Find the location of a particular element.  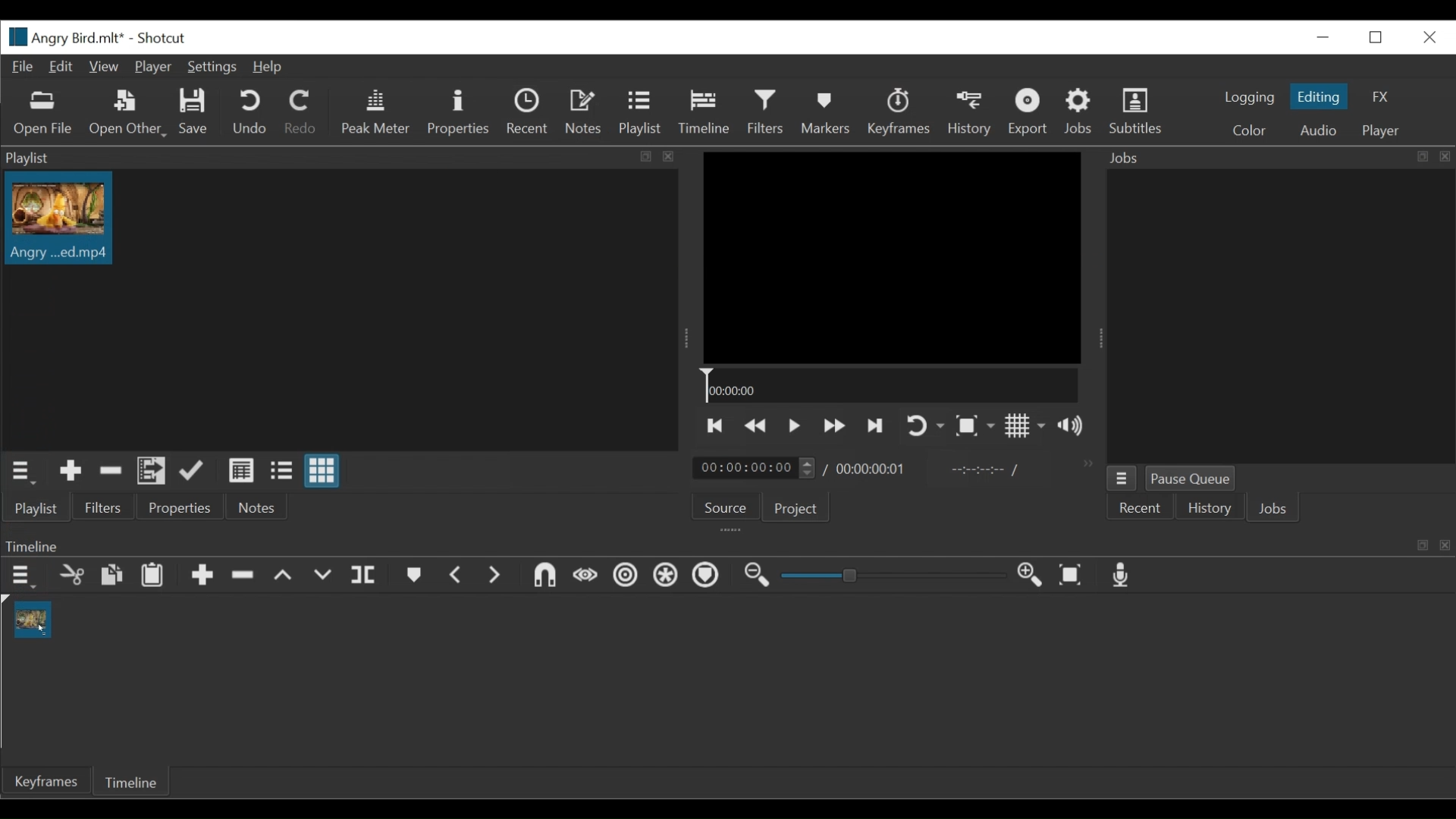

Settings is located at coordinates (213, 67).